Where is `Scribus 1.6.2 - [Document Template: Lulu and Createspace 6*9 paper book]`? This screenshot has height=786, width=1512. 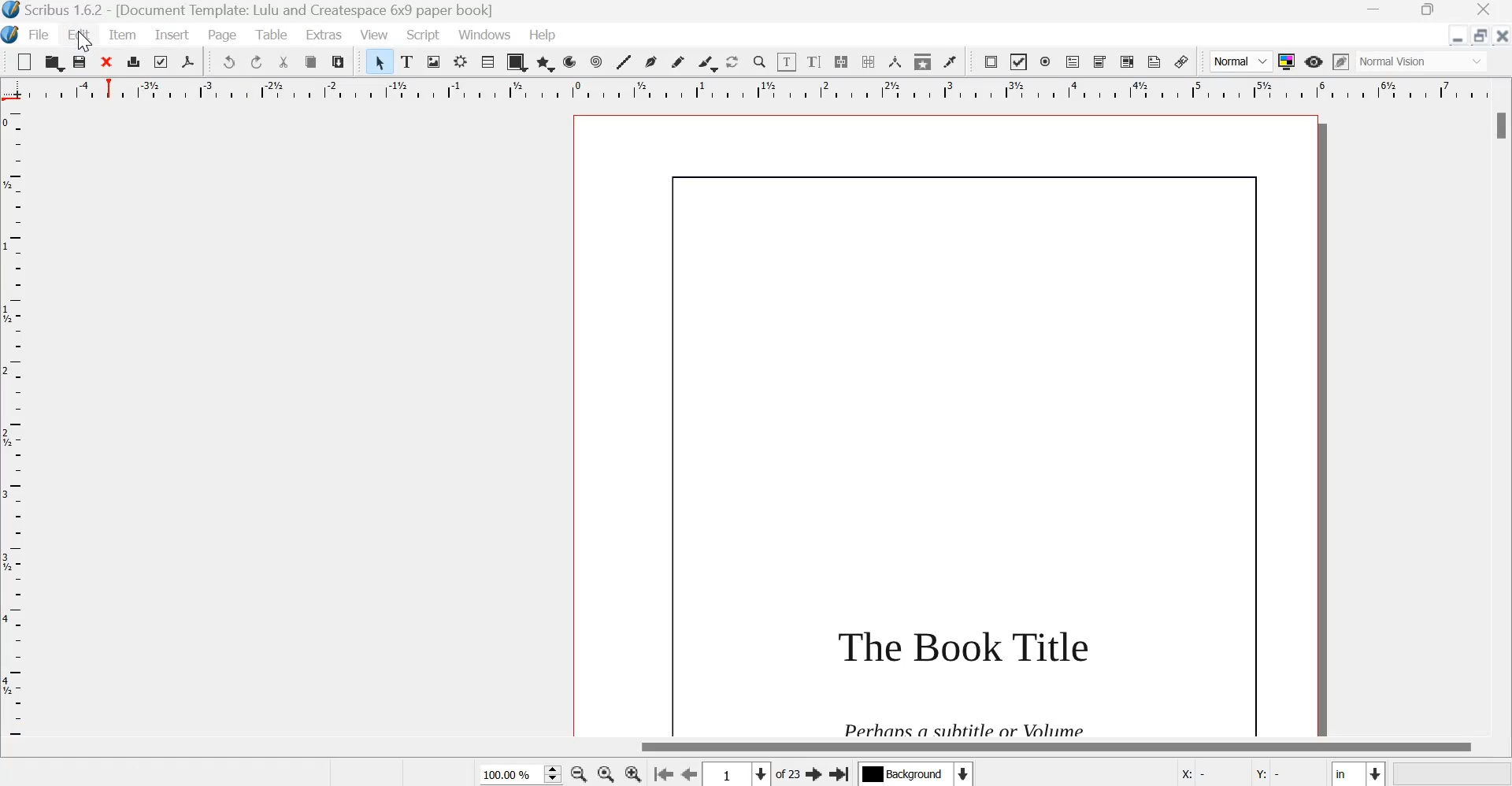
Scribus 1.6.2 - [Document Template: Lulu and Createspace 6*9 paper book] is located at coordinates (250, 10).